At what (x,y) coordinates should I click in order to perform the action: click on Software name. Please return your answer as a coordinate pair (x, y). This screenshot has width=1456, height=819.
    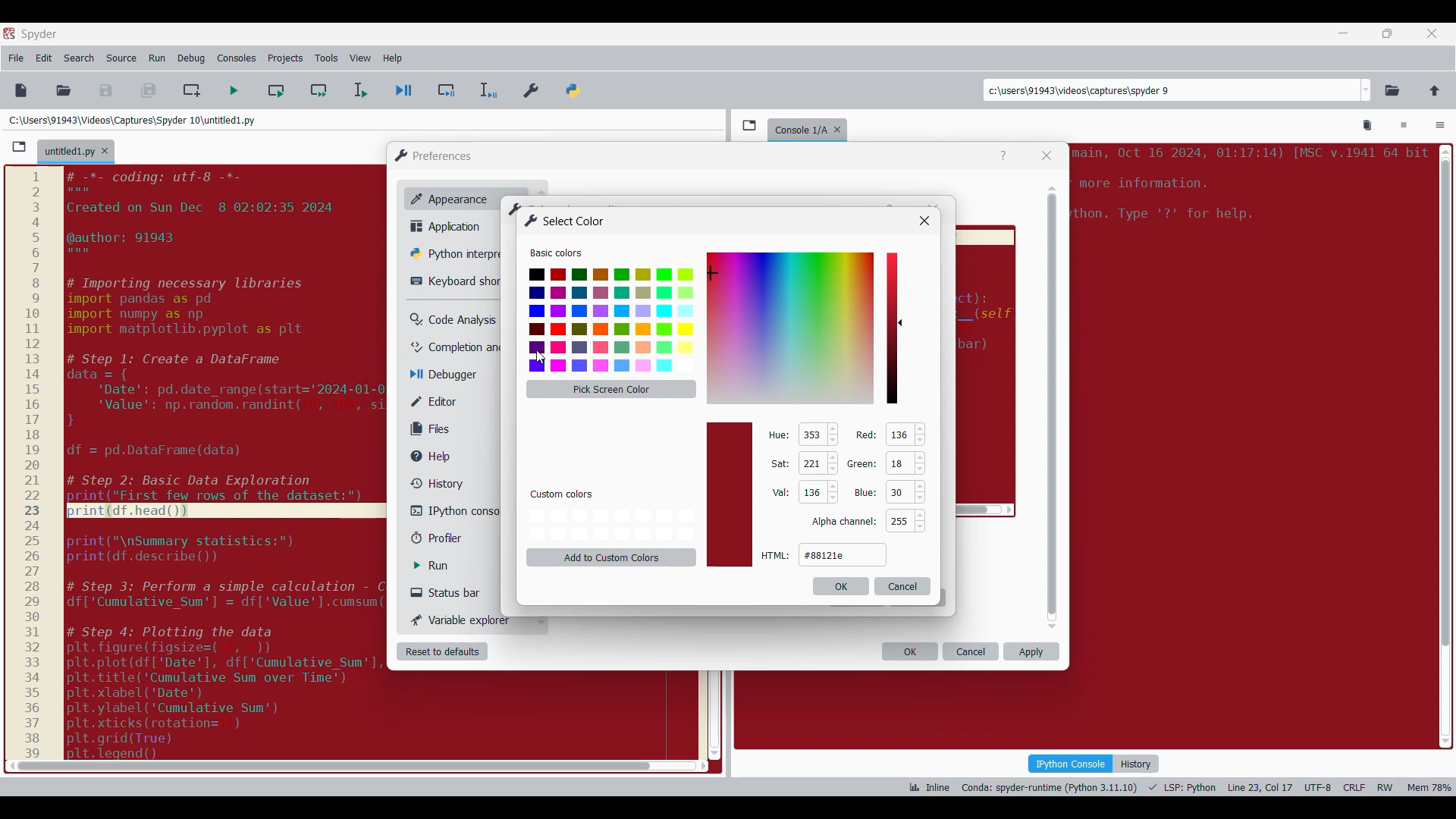
    Looking at the image, I should click on (39, 34).